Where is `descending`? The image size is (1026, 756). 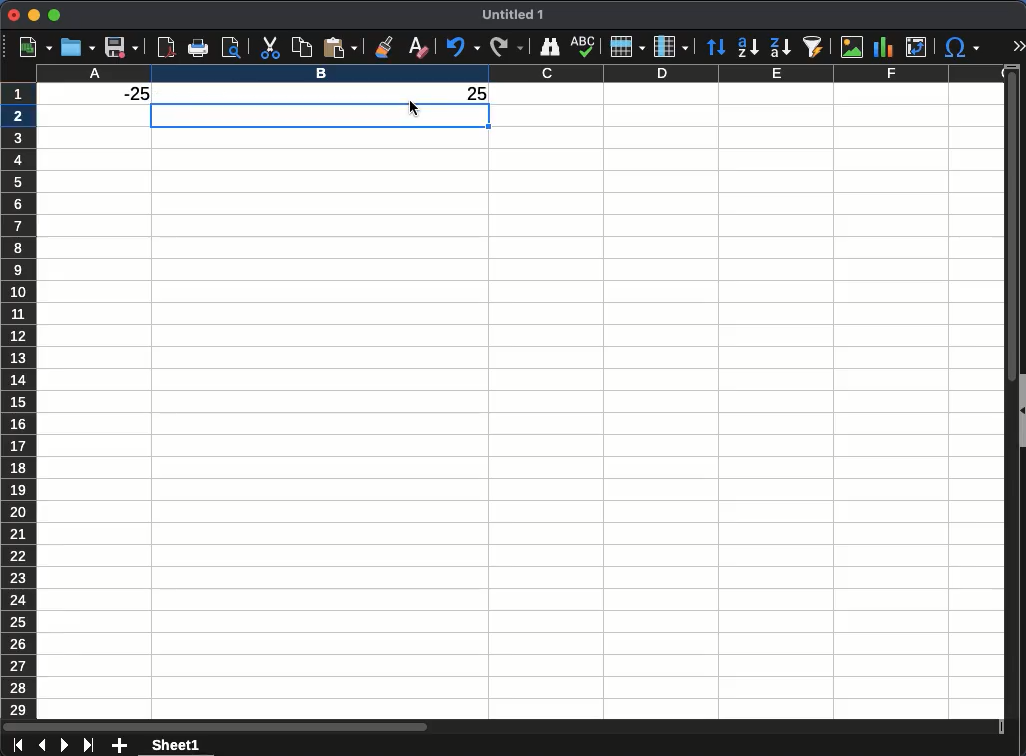 descending is located at coordinates (782, 47).